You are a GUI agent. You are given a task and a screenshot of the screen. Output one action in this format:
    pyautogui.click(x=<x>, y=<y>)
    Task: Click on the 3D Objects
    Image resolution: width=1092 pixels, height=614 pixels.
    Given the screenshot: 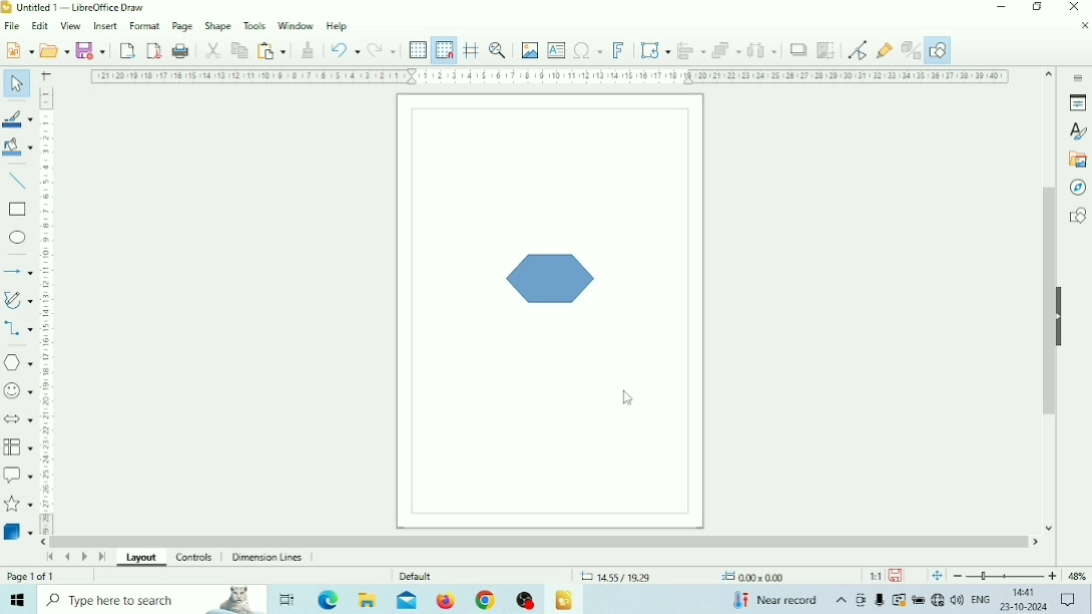 What is the action you would take?
    pyautogui.click(x=18, y=531)
    